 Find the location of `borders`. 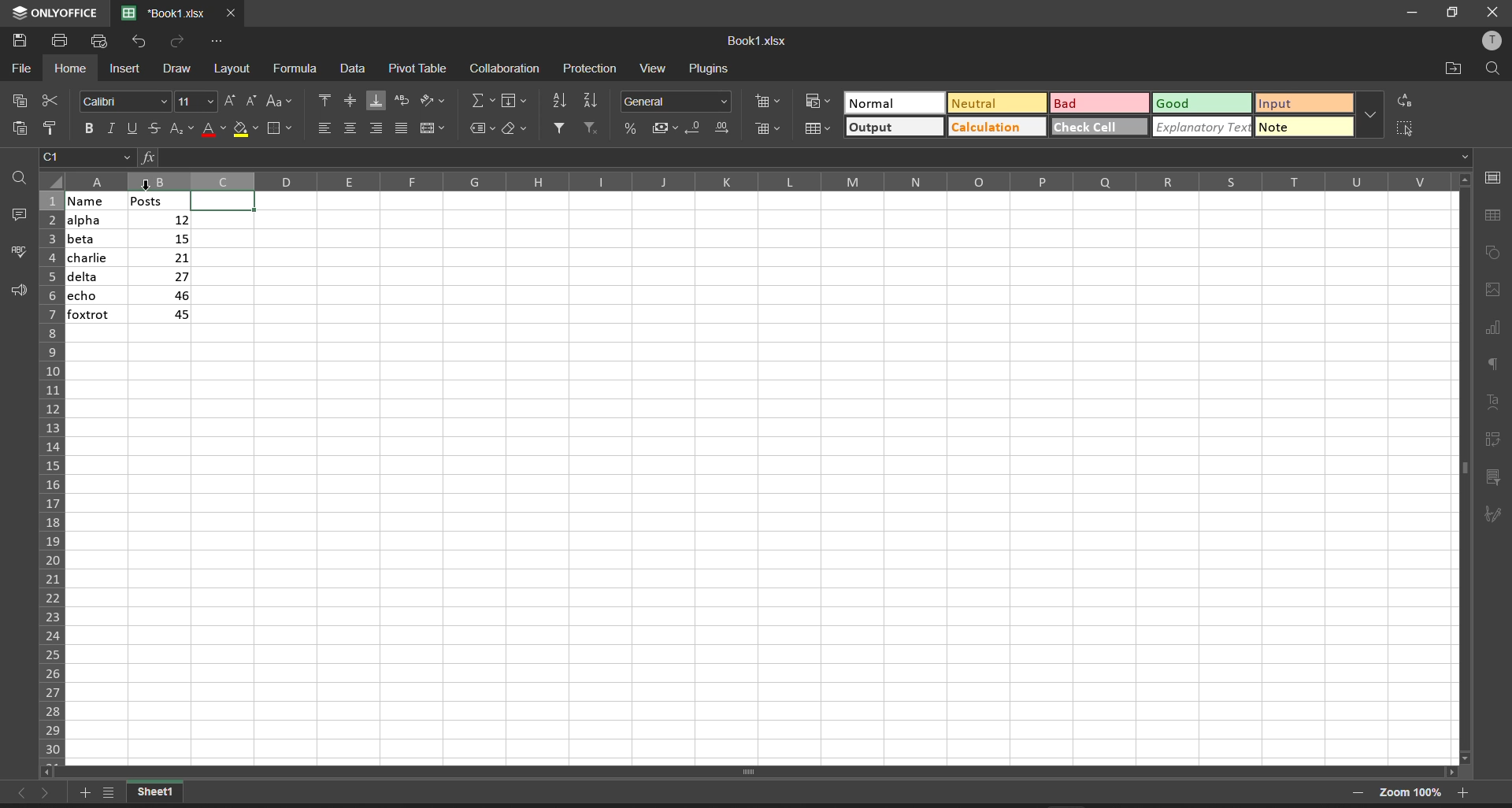

borders is located at coordinates (280, 130).